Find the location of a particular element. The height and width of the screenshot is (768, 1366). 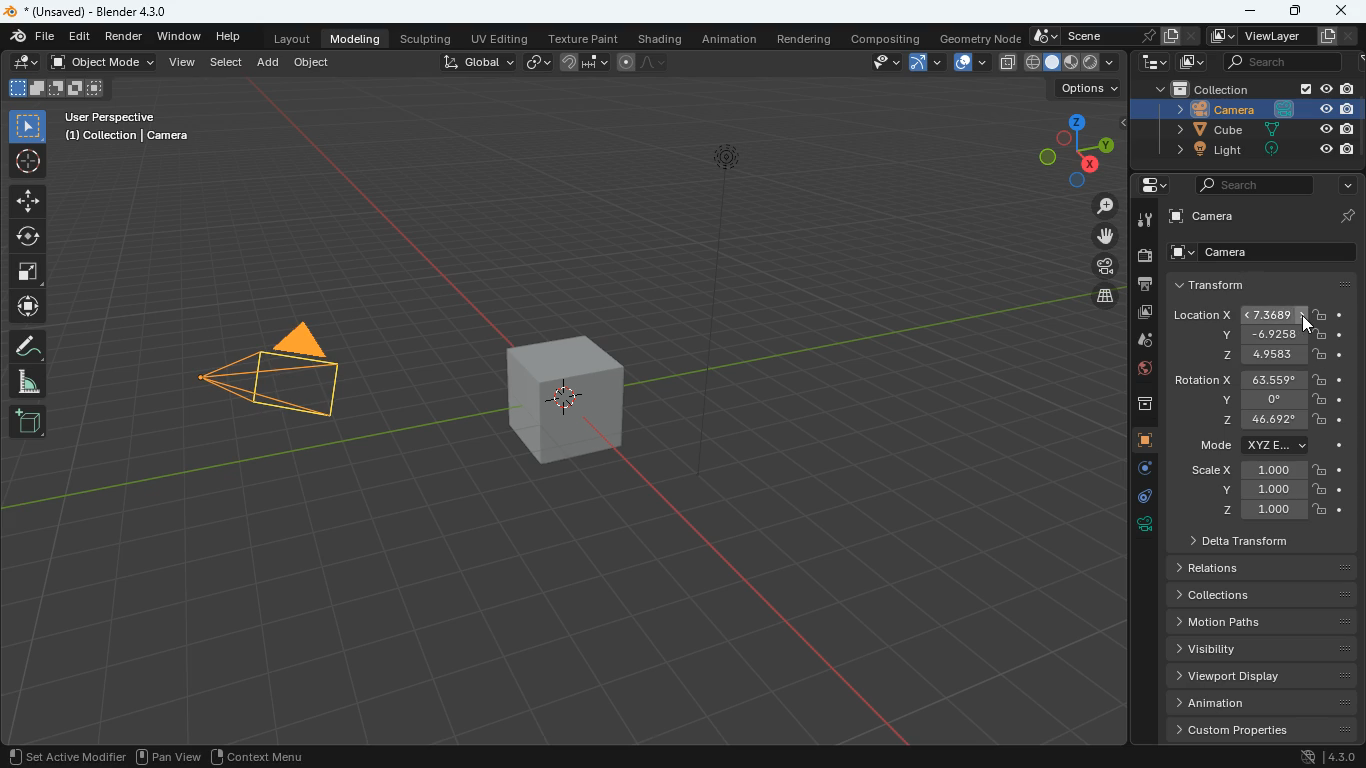

edit is located at coordinates (26, 65).